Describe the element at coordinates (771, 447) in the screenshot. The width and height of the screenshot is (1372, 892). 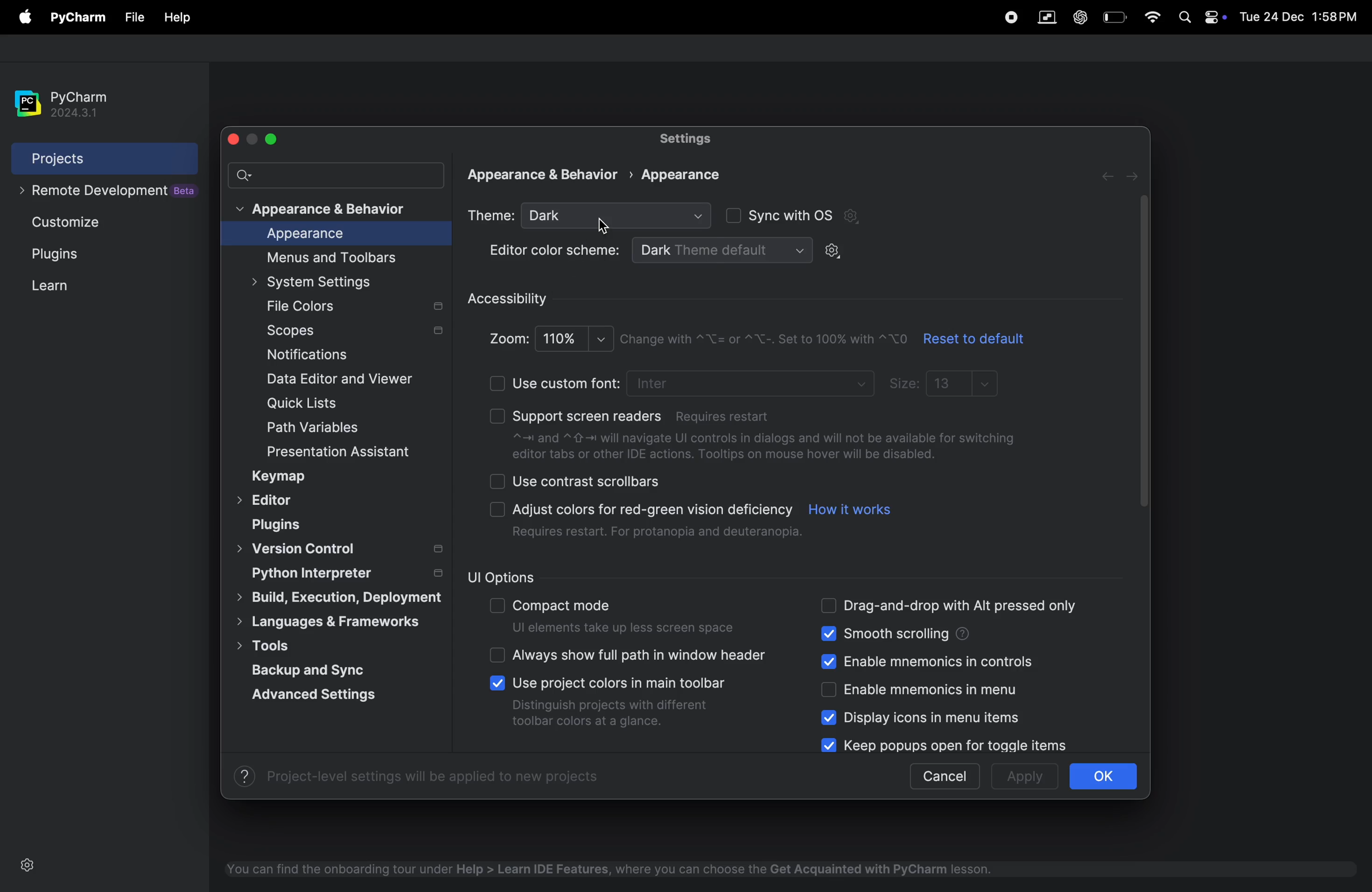
I see `~=n and ~ 4-1 will navigate Ul controls in dialogs and will not be available for switching editor tabs or other IDE actions. Tooltips on mouse hover will be disabled.` at that location.